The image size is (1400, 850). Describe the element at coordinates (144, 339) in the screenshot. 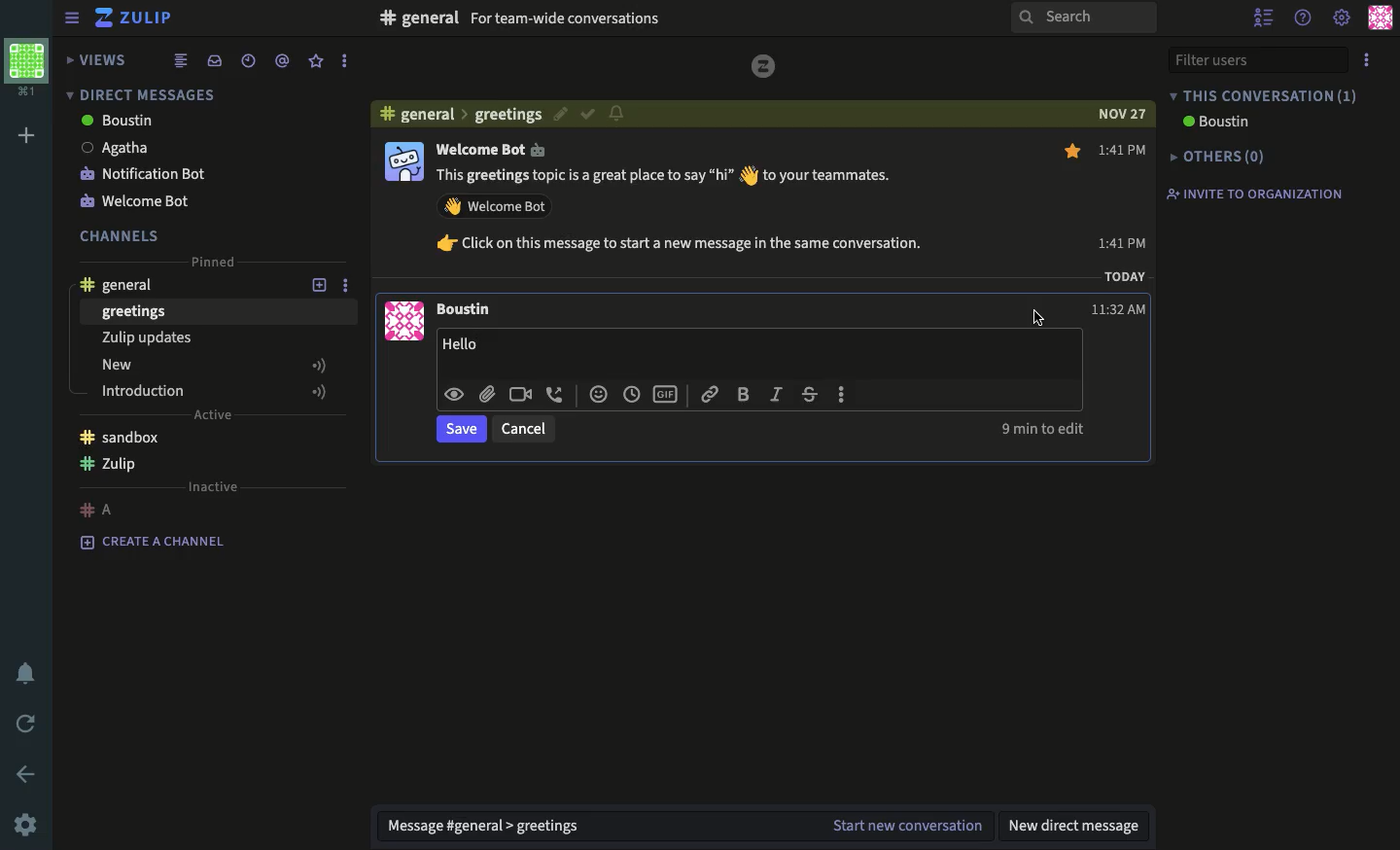

I see `Zulip updates` at that location.